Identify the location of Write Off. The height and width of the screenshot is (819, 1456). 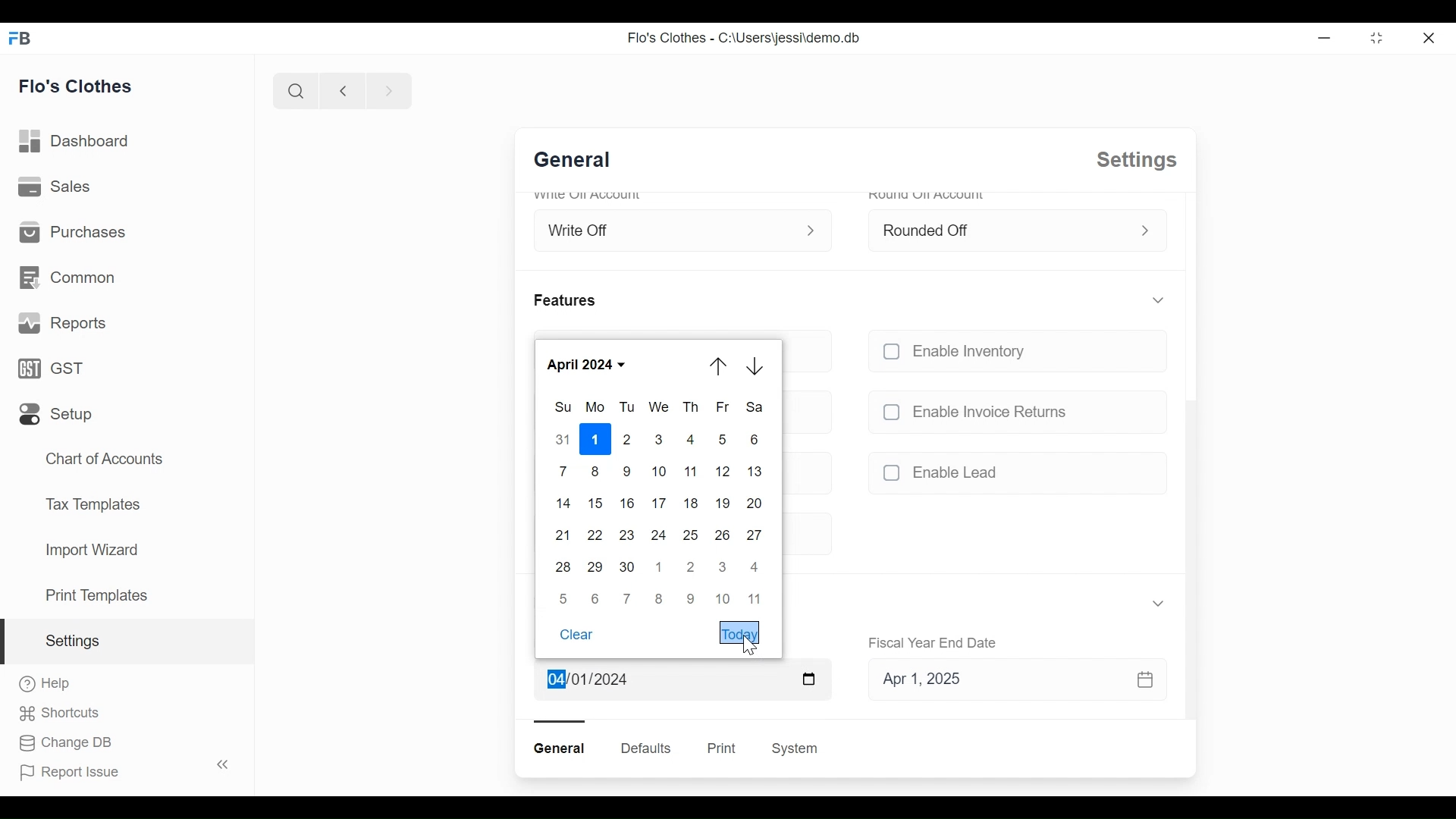
(667, 227).